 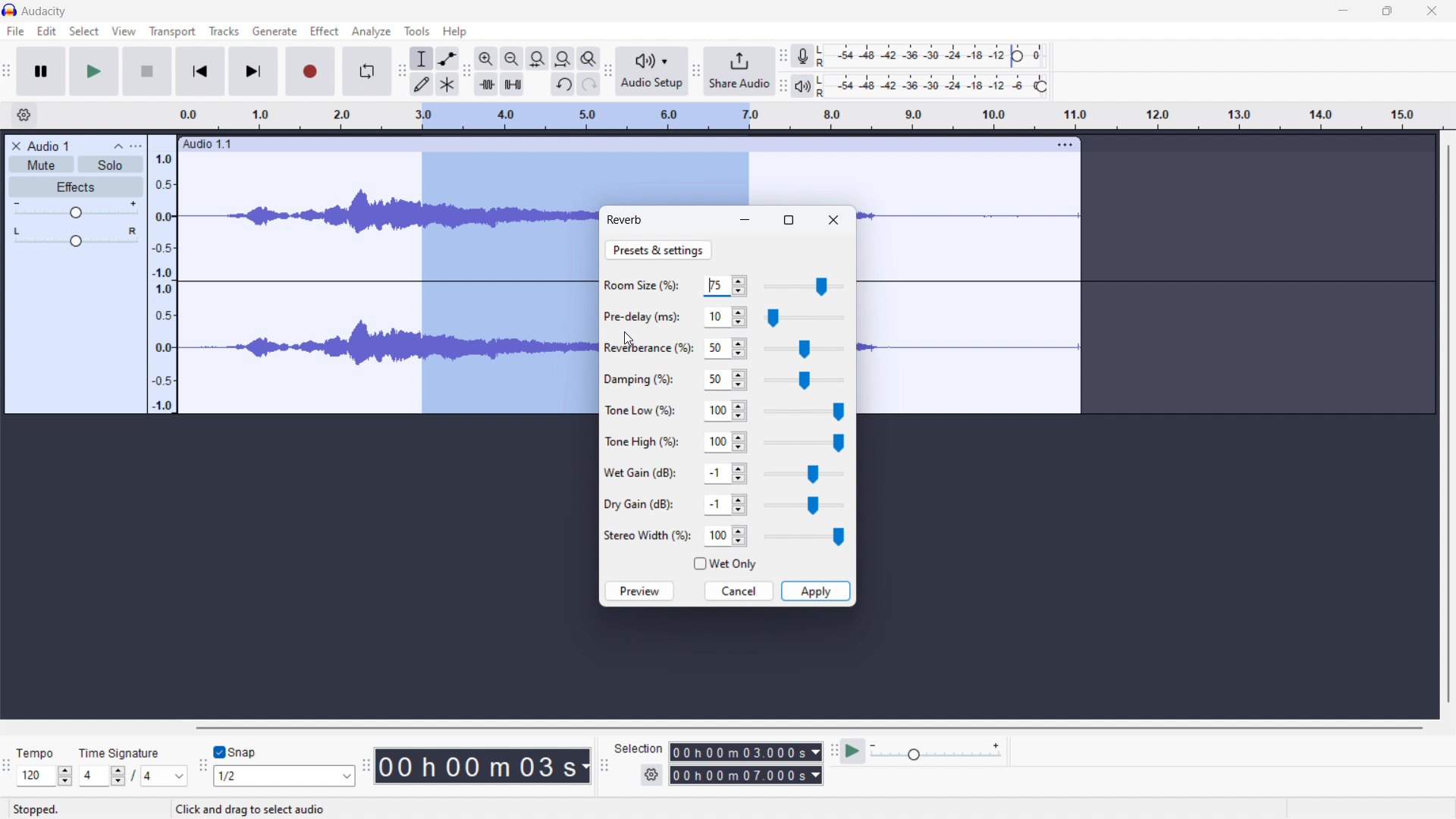 I want to click on playback meter toolbar, so click(x=784, y=86).